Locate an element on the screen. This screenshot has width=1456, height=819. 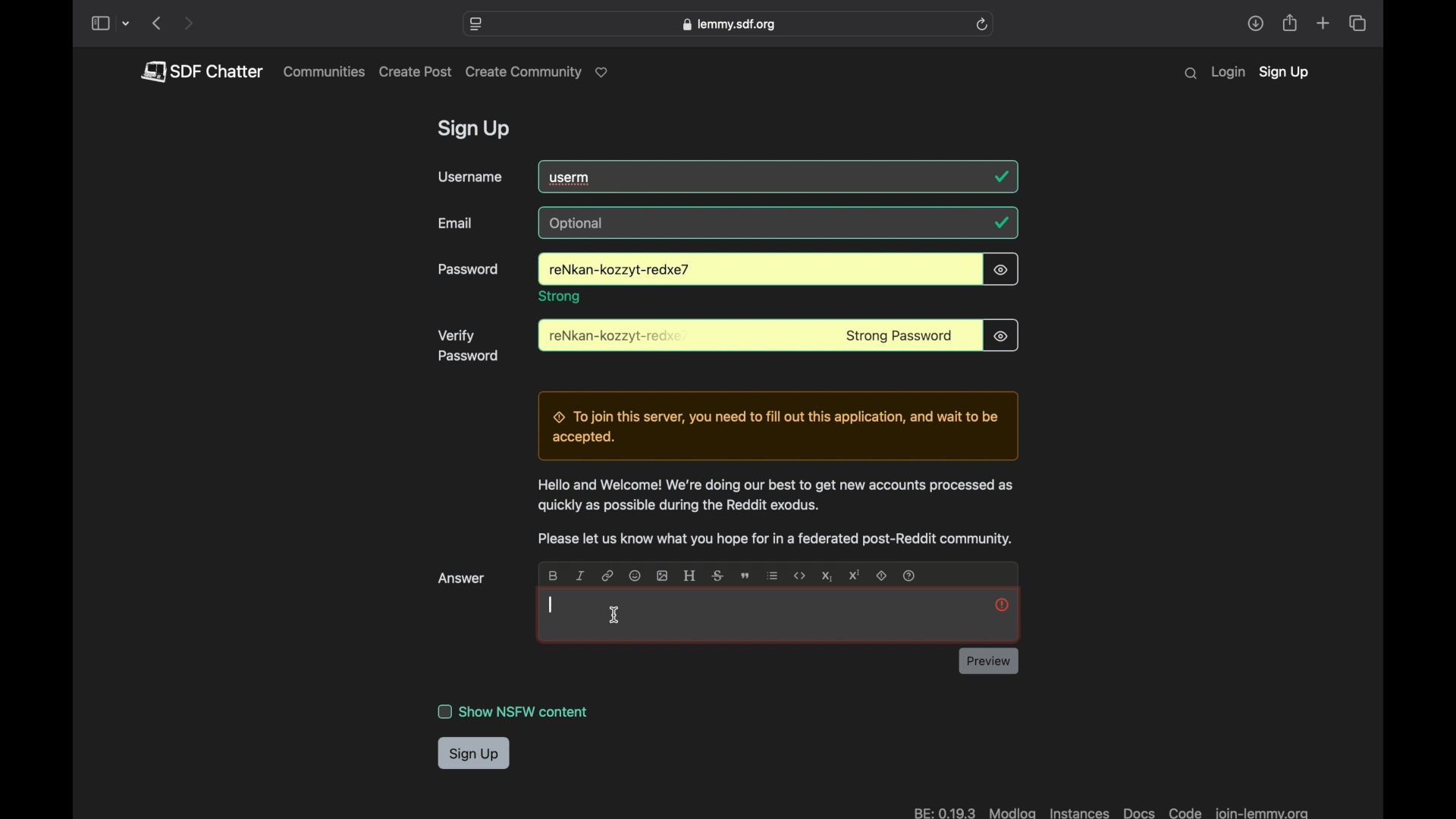
trong is located at coordinates (560, 297).